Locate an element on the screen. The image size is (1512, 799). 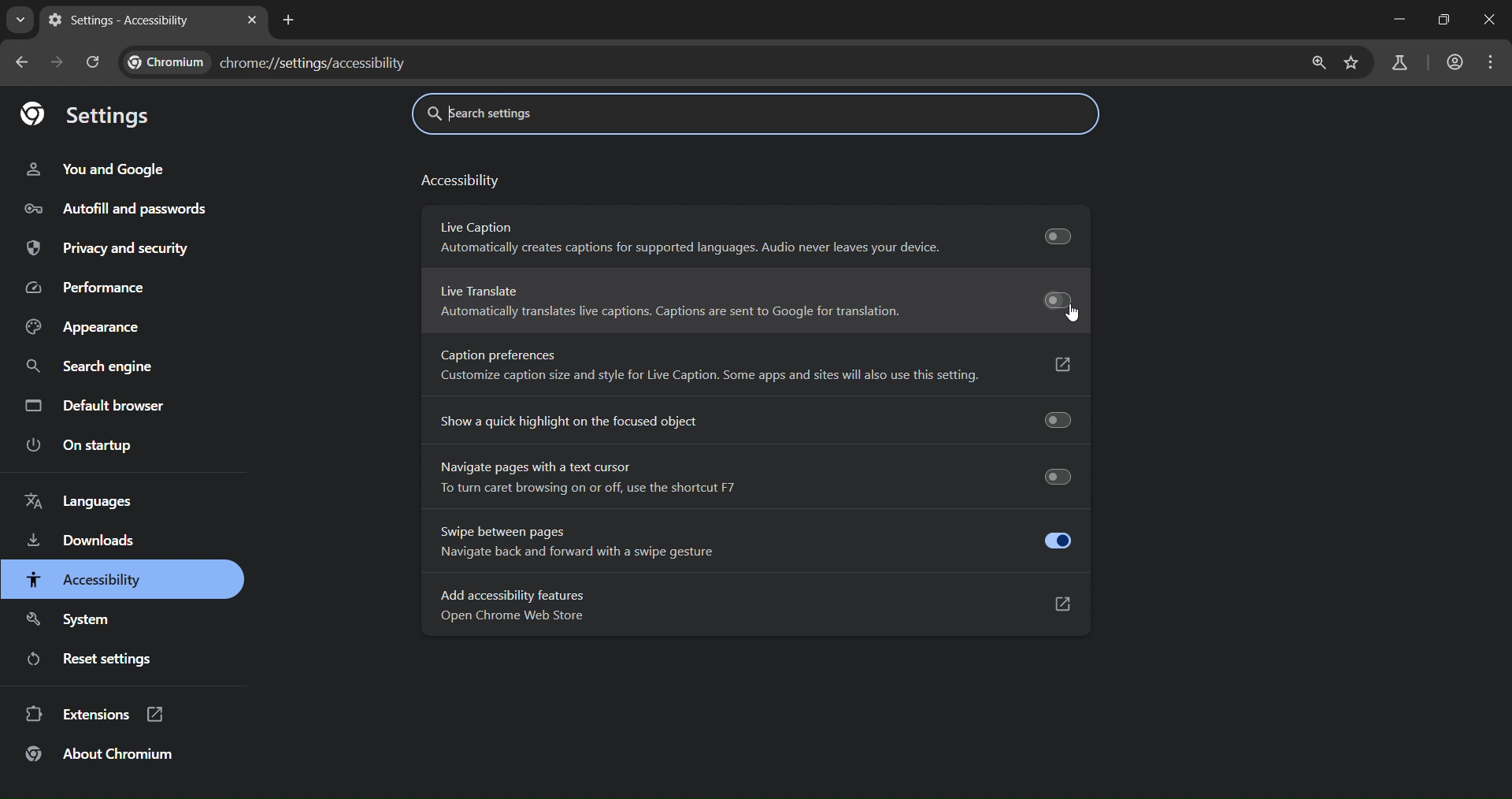
toogle is located at coordinates (1051, 233).